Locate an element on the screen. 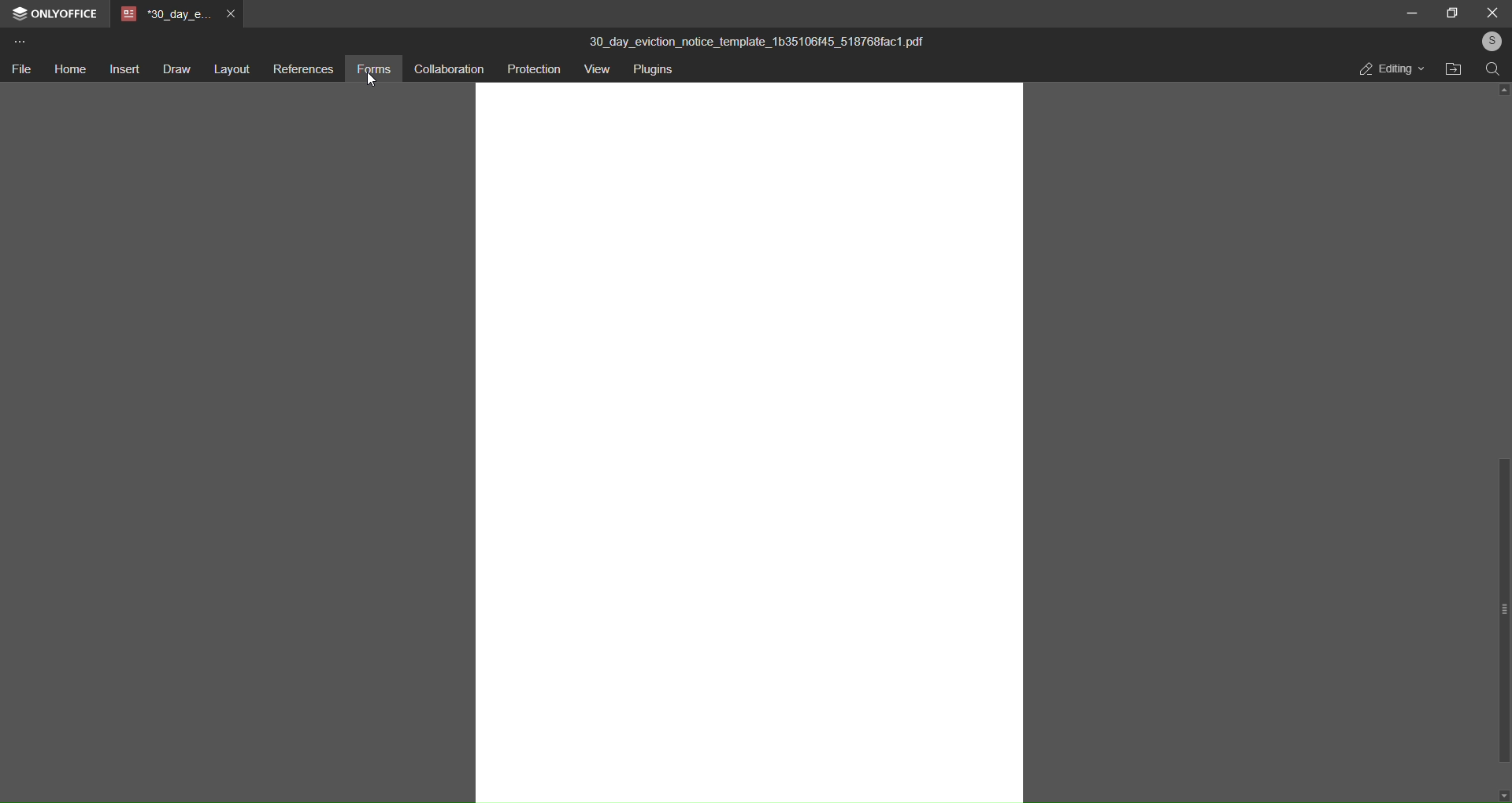 The height and width of the screenshot is (803, 1512). layout is located at coordinates (232, 68).